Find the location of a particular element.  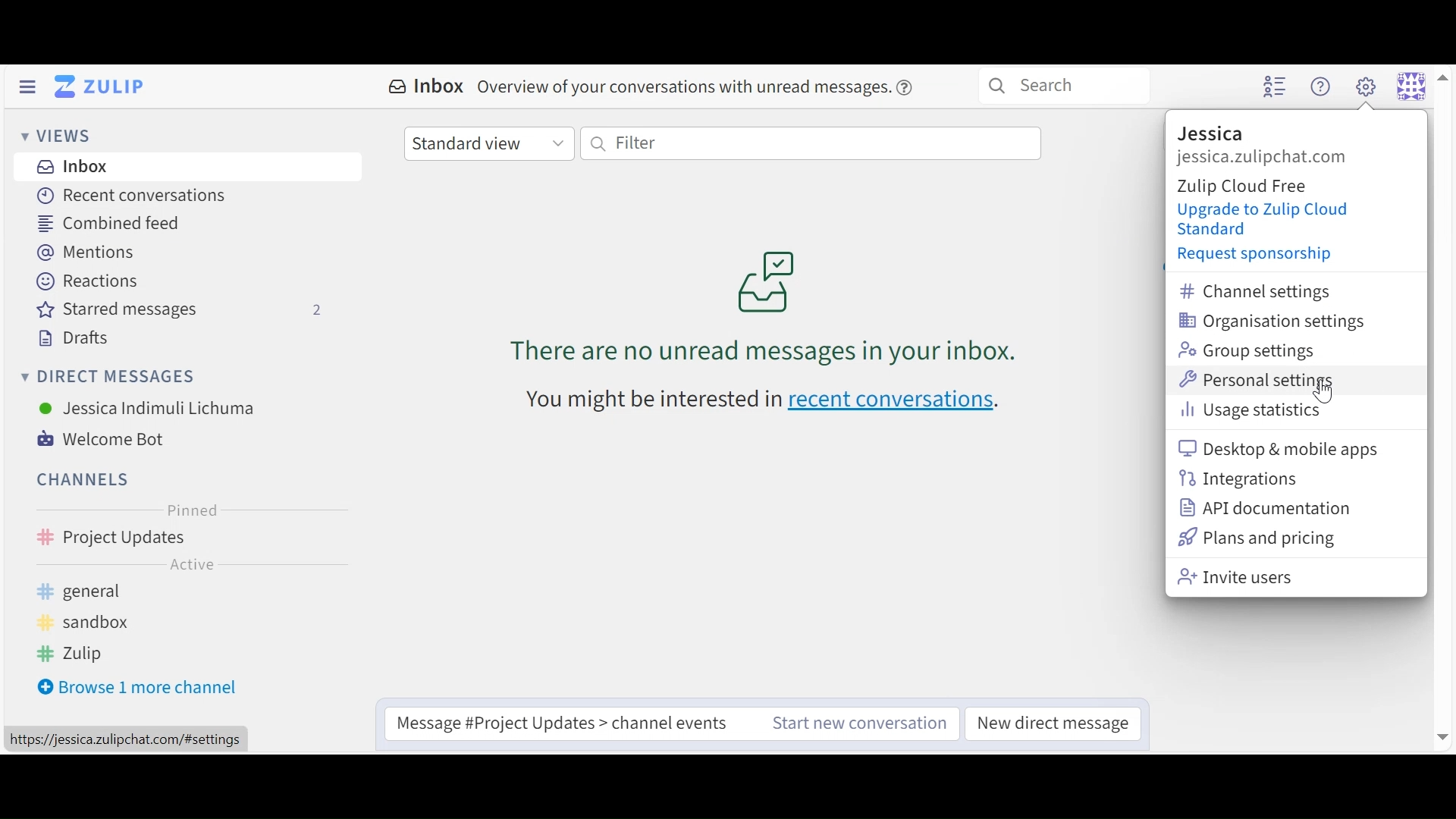

Desktop and mobile apps is located at coordinates (1287, 449).